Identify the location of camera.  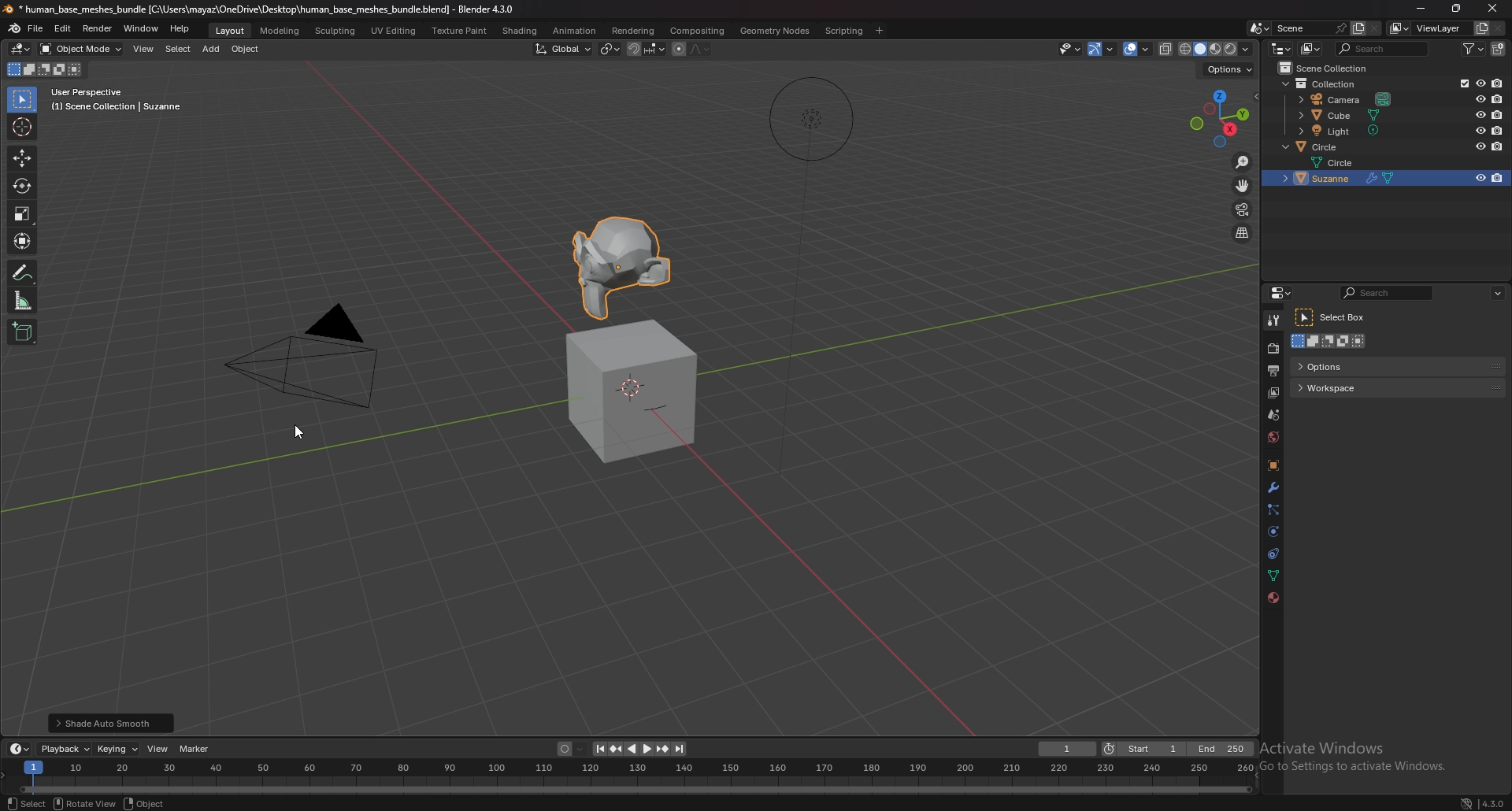
(1346, 99).